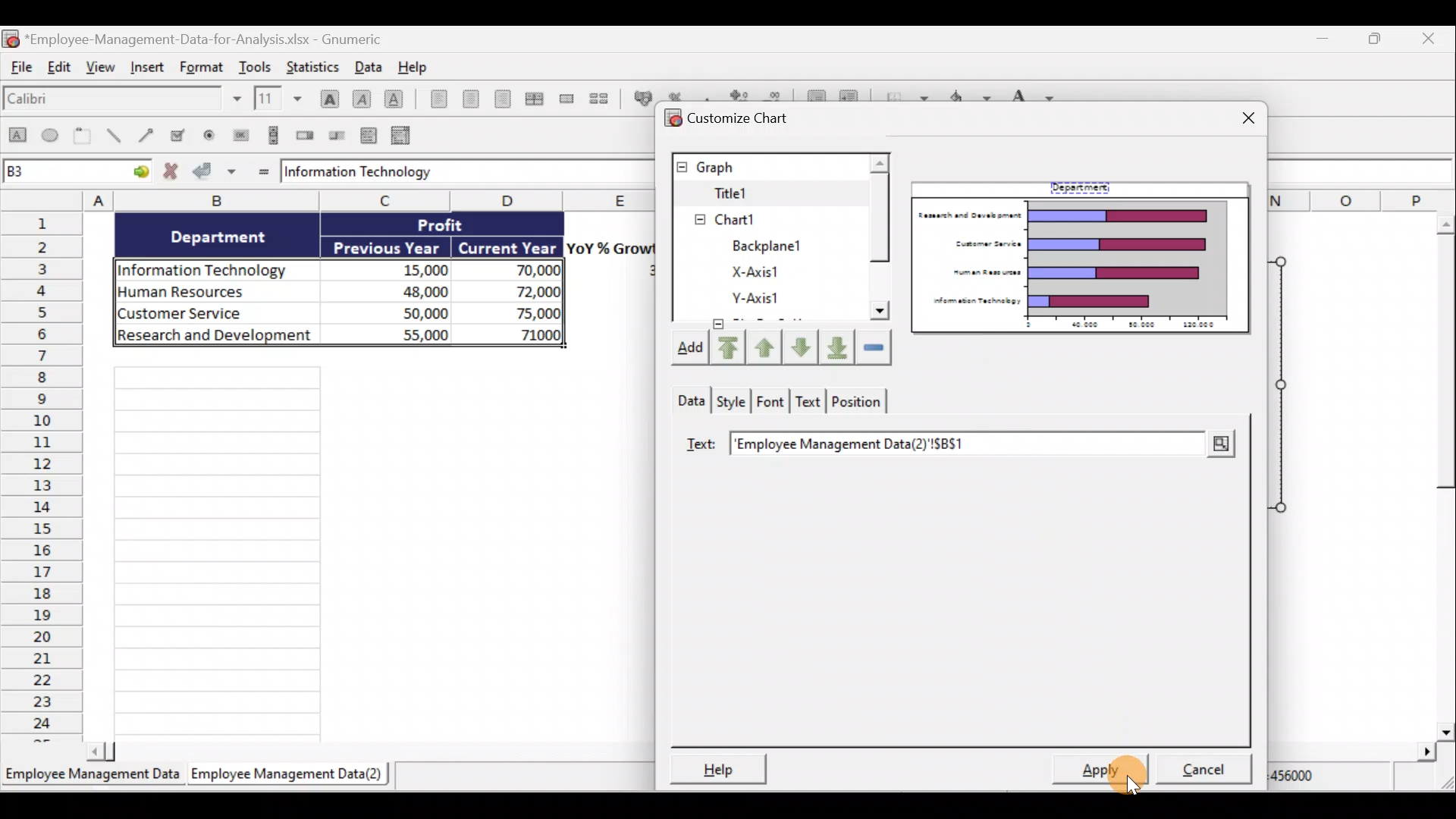 The height and width of the screenshot is (819, 1456). Describe the element at coordinates (570, 99) in the screenshot. I see `Merge a range of cells` at that location.